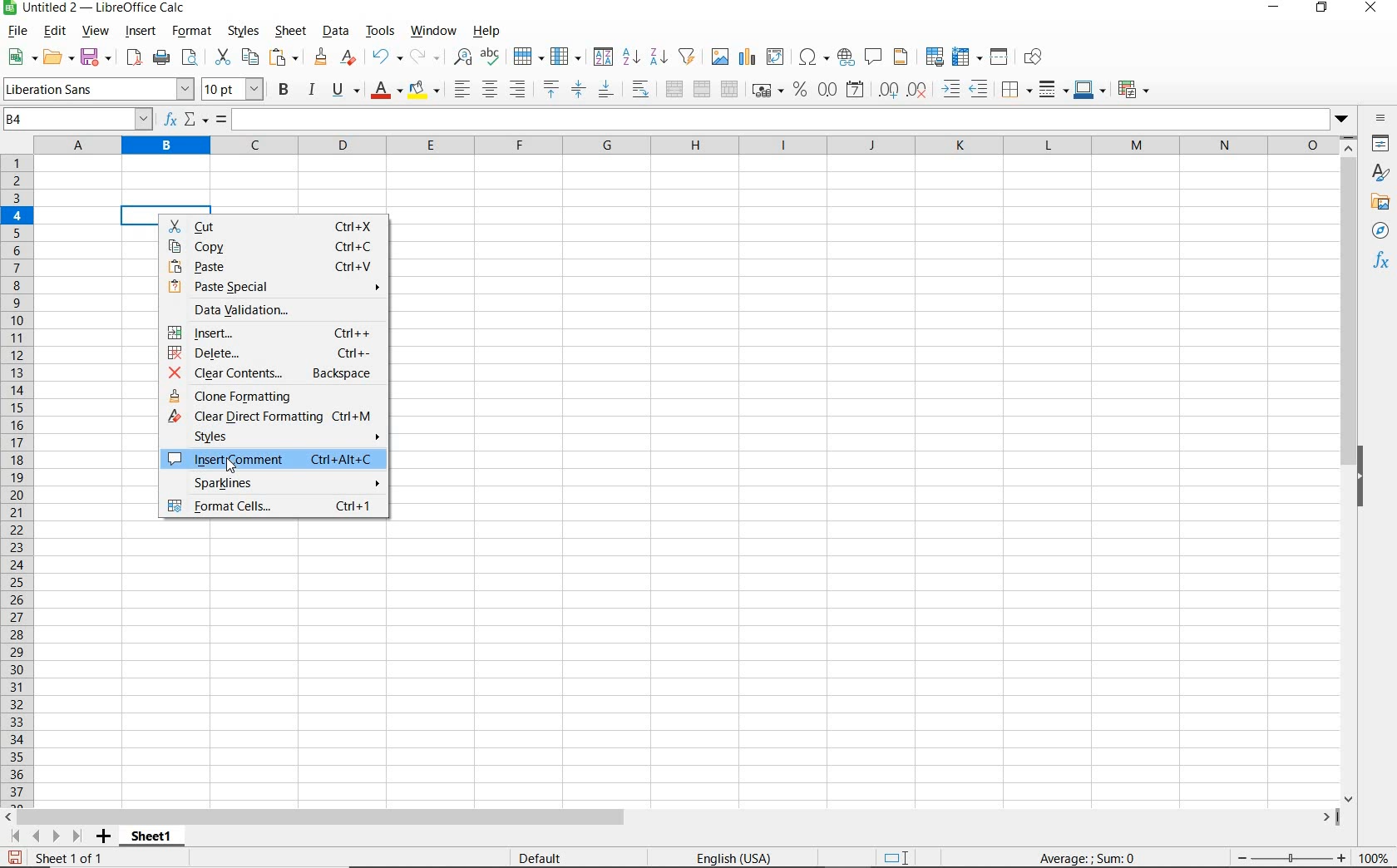  Describe the element at coordinates (141, 32) in the screenshot. I see `insert` at that location.